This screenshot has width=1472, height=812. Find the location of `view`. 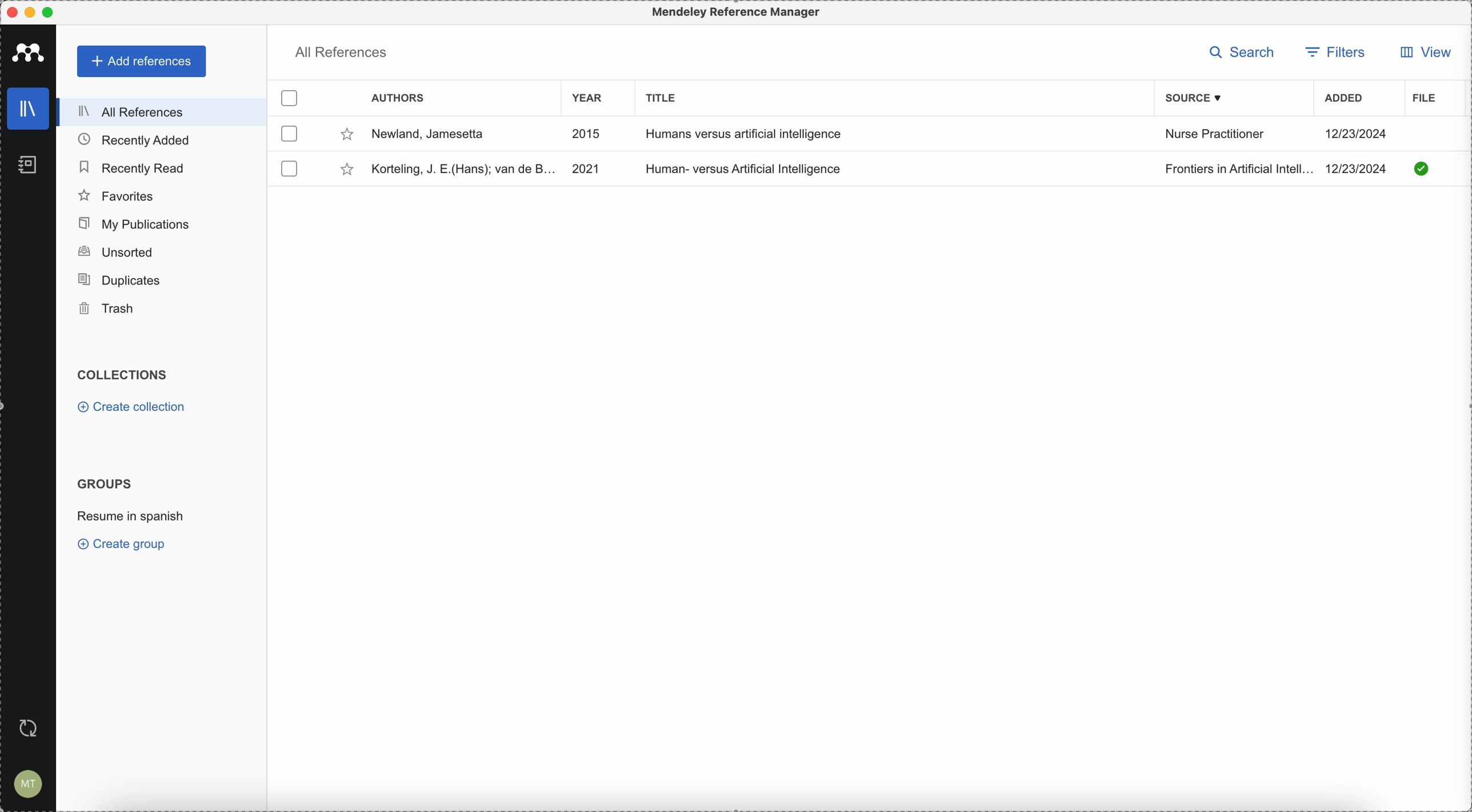

view is located at coordinates (1421, 55).